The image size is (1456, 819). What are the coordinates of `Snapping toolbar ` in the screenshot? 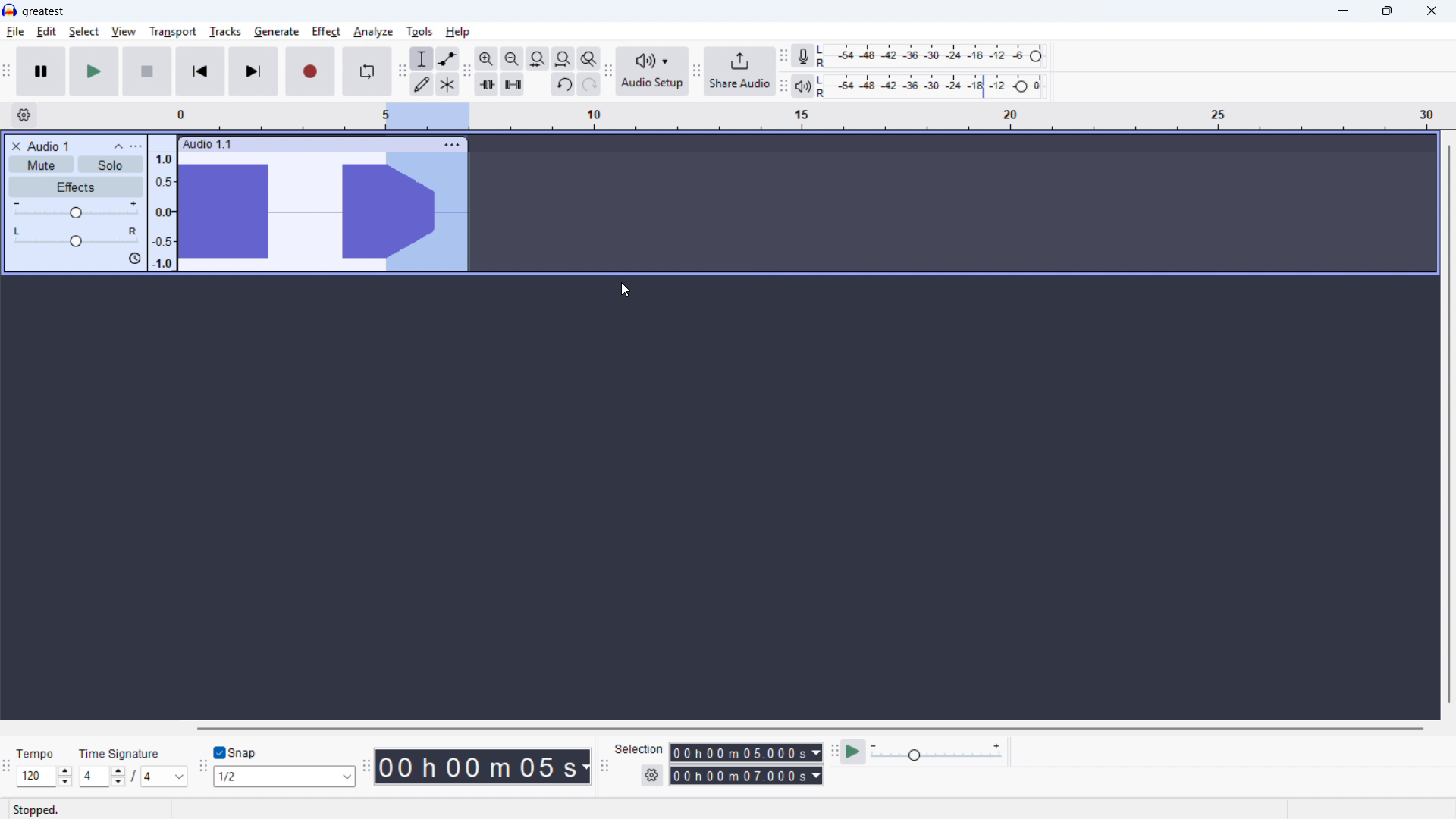 It's located at (204, 769).